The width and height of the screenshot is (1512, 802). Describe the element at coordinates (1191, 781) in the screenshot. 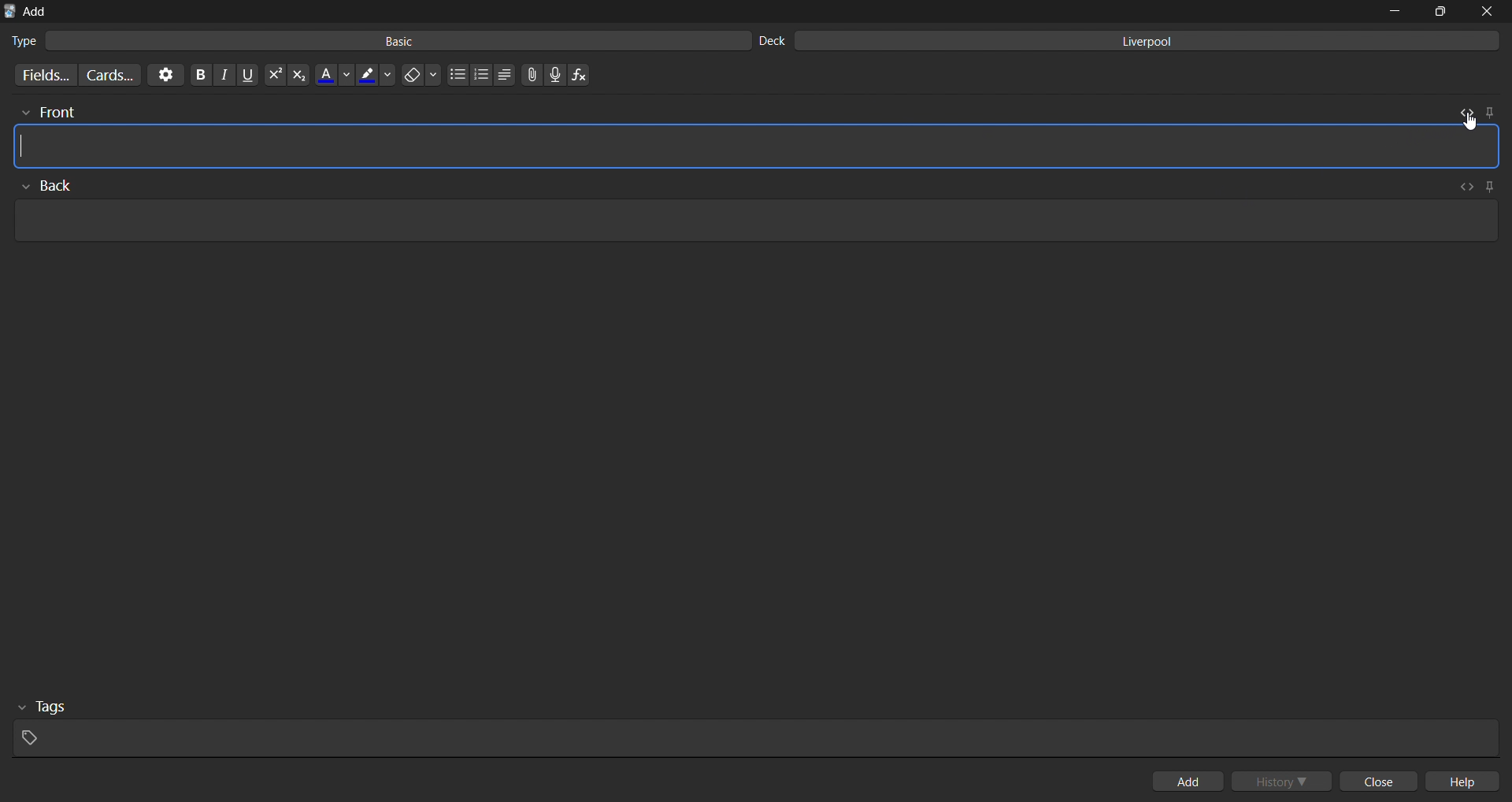

I see `add` at that location.